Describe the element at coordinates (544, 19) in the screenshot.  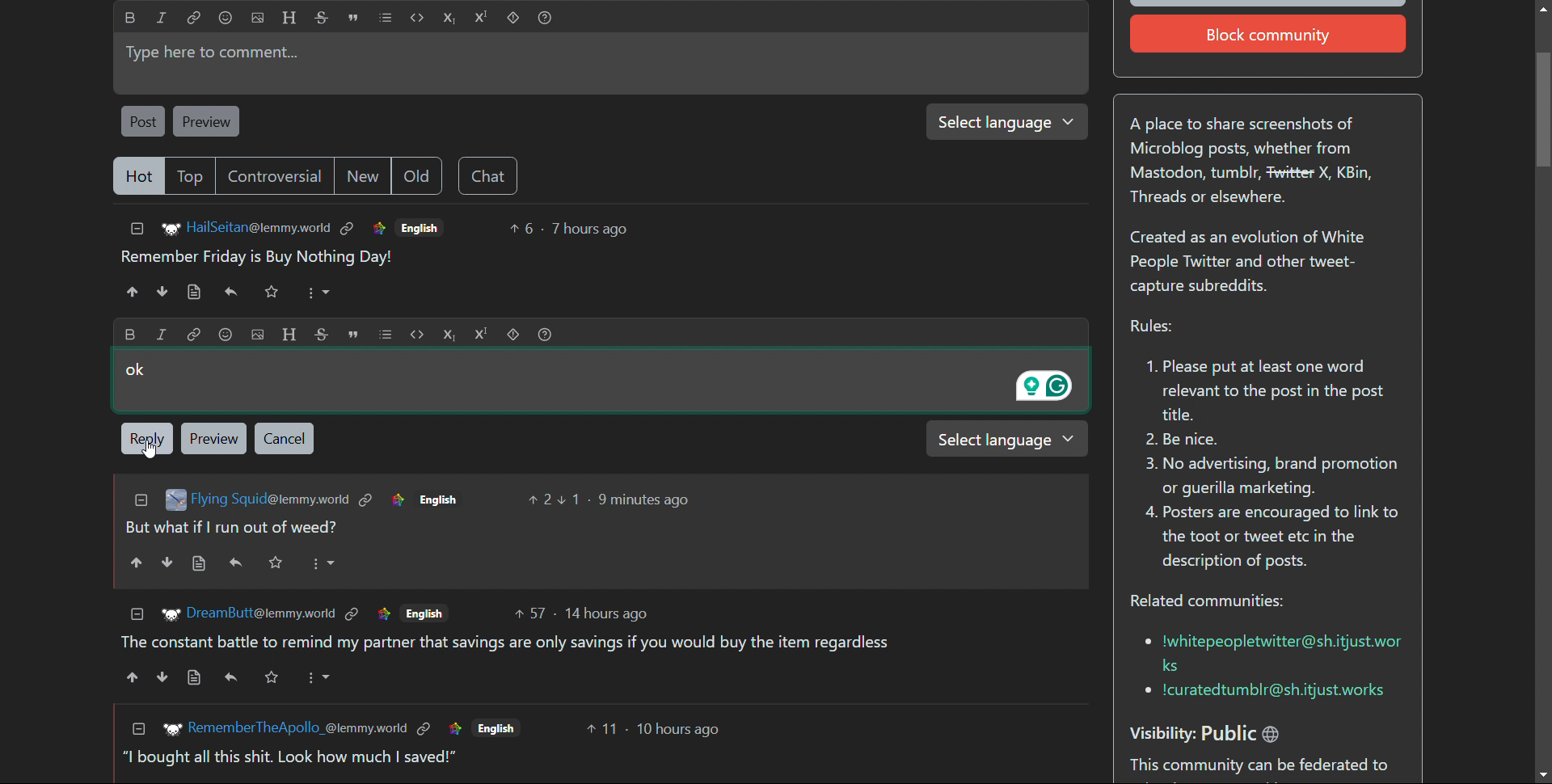
I see `help` at that location.